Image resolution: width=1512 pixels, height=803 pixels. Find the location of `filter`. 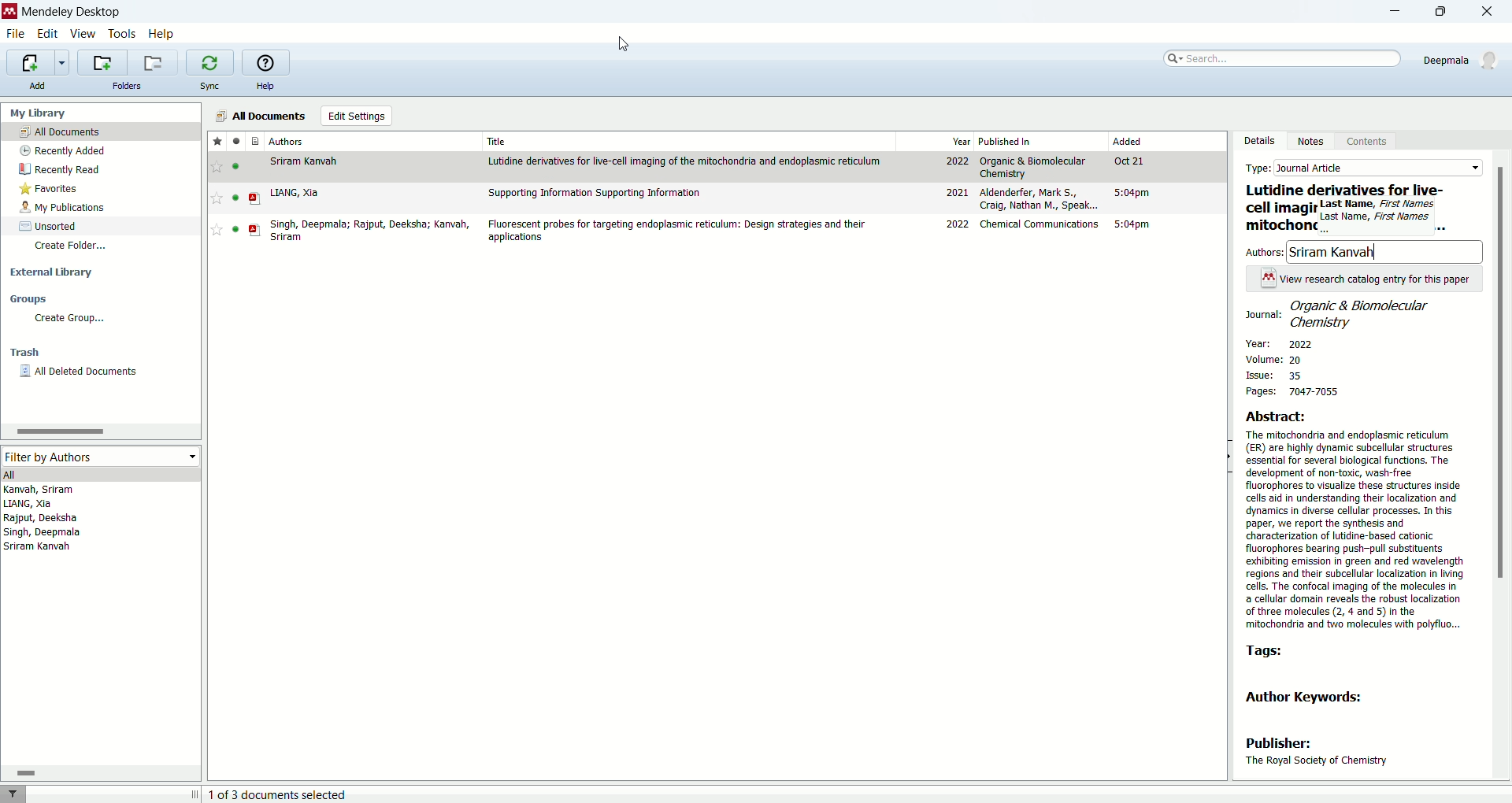

filter is located at coordinates (13, 794).